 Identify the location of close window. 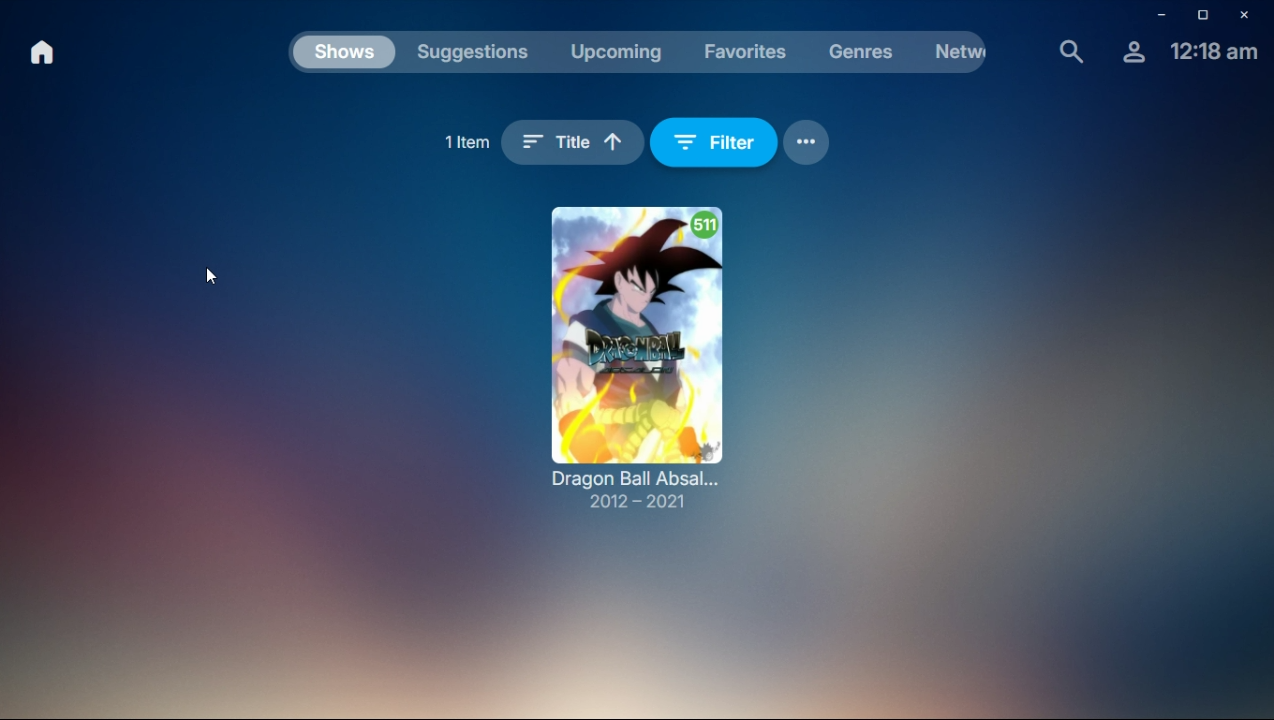
(1251, 15).